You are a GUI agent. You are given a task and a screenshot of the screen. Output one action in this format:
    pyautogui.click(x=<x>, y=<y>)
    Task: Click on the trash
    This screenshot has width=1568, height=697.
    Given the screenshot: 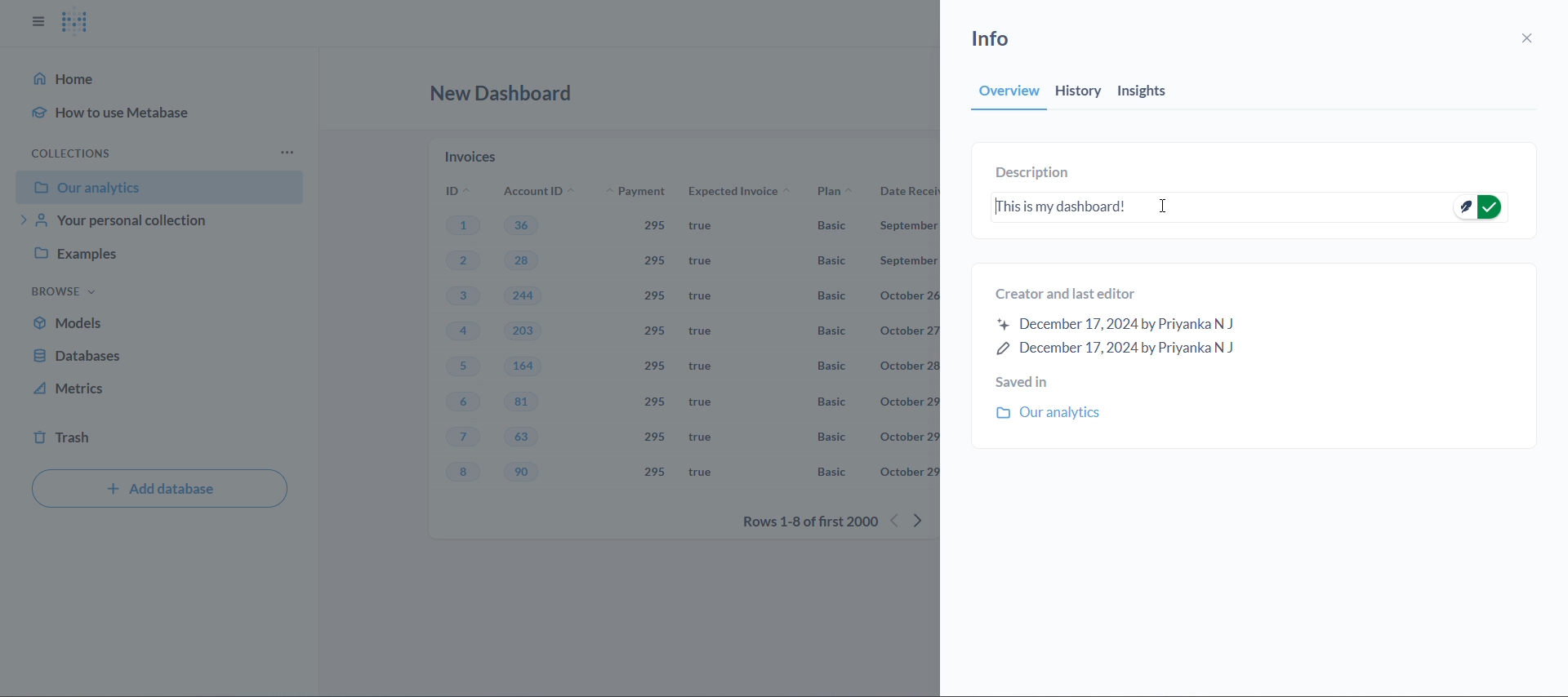 What is the action you would take?
    pyautogui.click(x=163, y=437)
    